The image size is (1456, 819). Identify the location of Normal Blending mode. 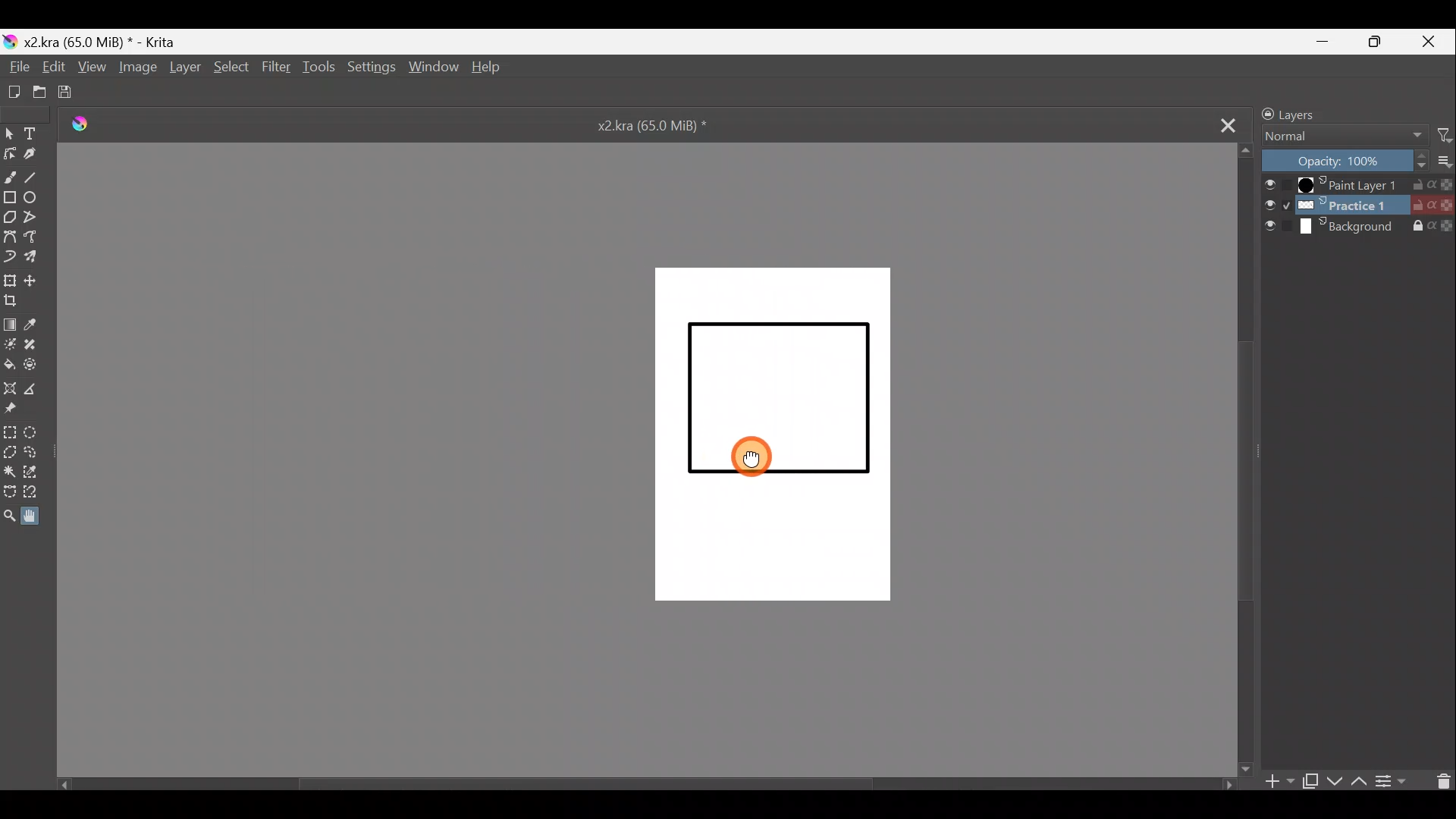
(1337, 136).